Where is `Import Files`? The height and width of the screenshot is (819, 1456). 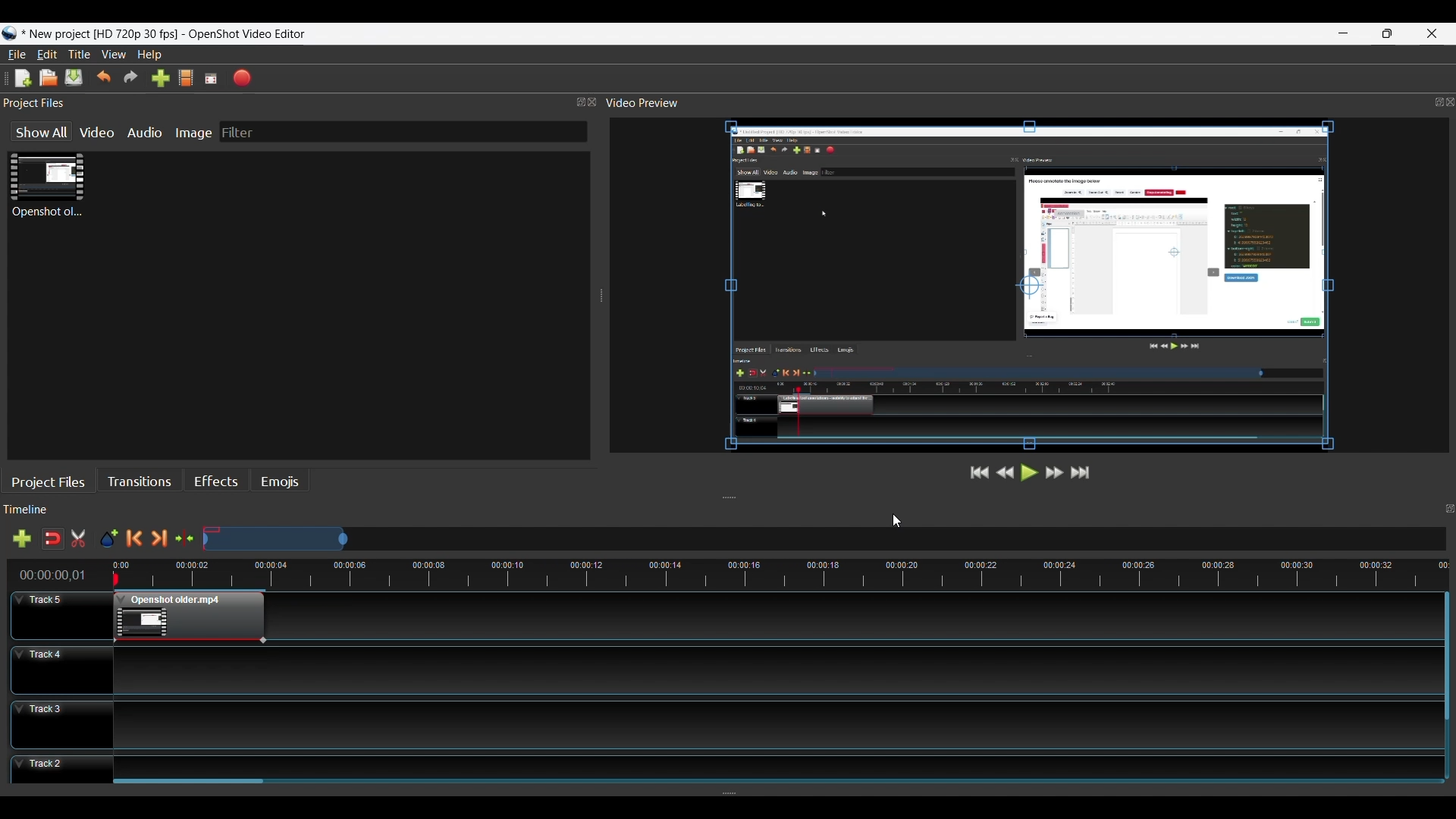
Import Files is located at coordinates (161, 78).